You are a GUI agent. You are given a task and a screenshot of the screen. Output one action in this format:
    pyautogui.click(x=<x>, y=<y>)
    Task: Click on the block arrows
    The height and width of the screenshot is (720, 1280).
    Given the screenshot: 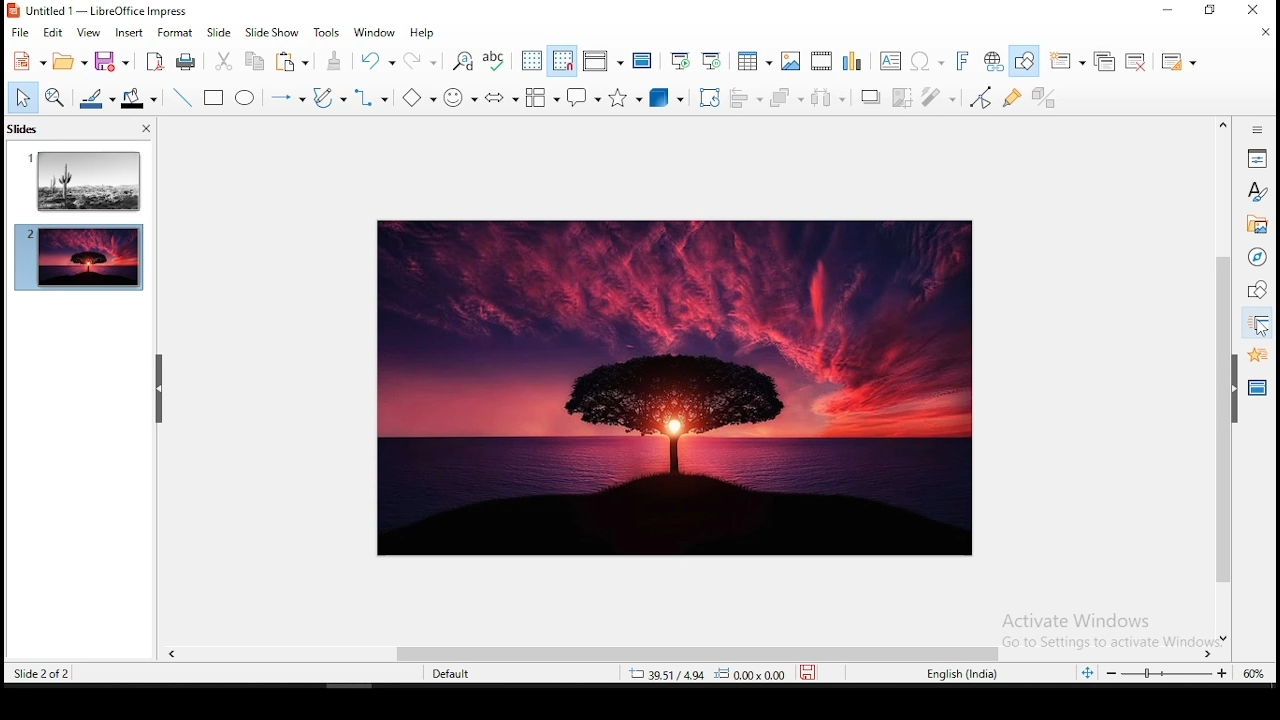 What is the action you would take?
    pyautogui.click(x=503, y=98)
    